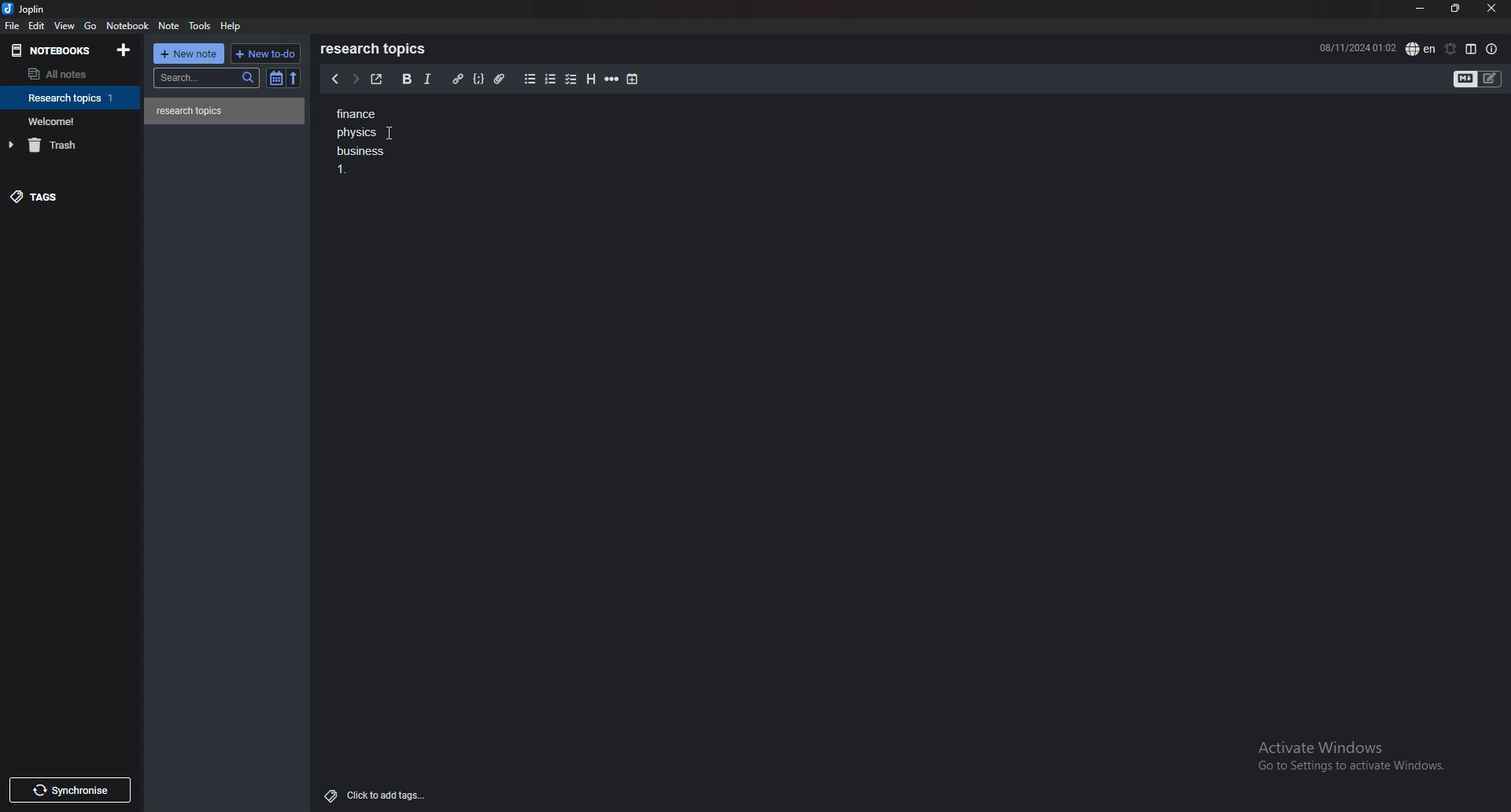 The width and height of the screenshot is (1511, 812). I want to click on notebook, so click(129, 26).